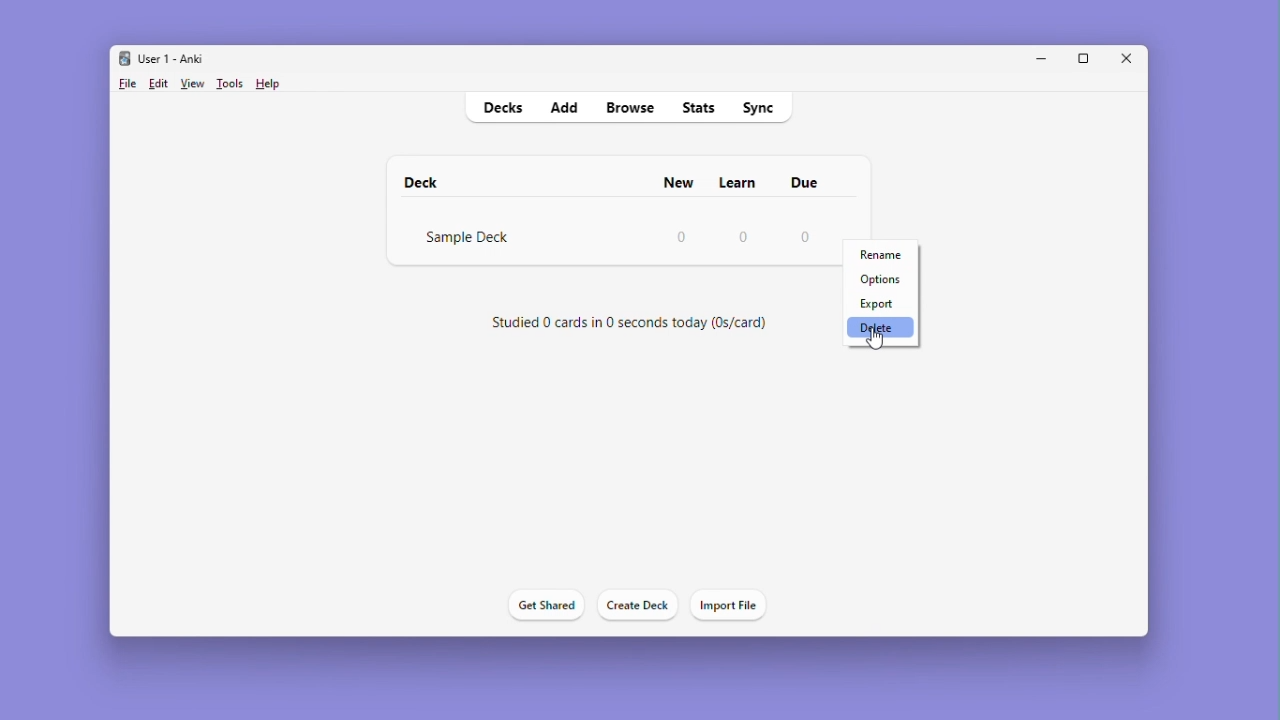  I want to click on Create deck, so click(633, 606).